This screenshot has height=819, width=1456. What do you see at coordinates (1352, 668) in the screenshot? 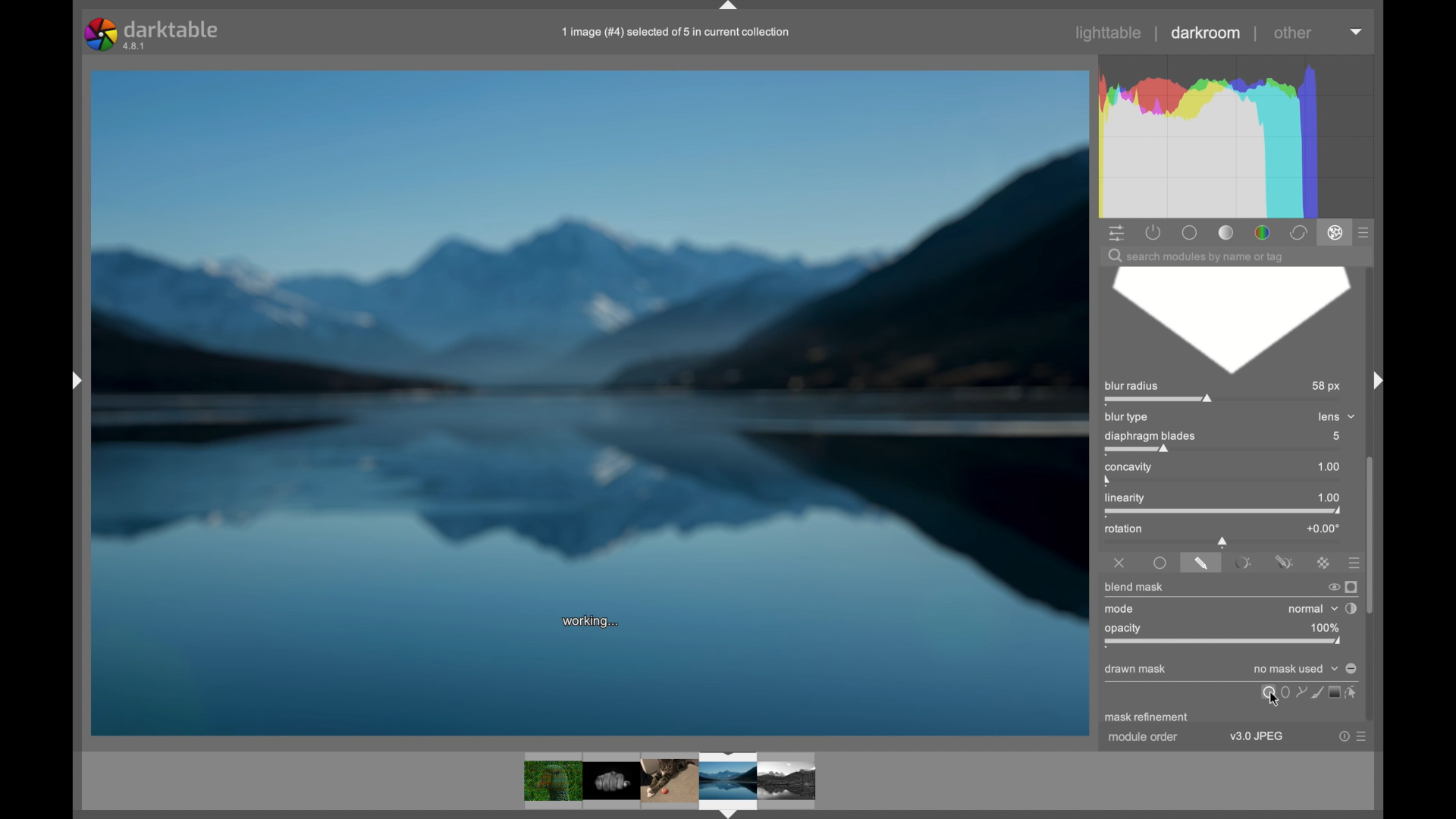
I see `toggle polarity of drawn mask` at bounding box center [1352, 668].